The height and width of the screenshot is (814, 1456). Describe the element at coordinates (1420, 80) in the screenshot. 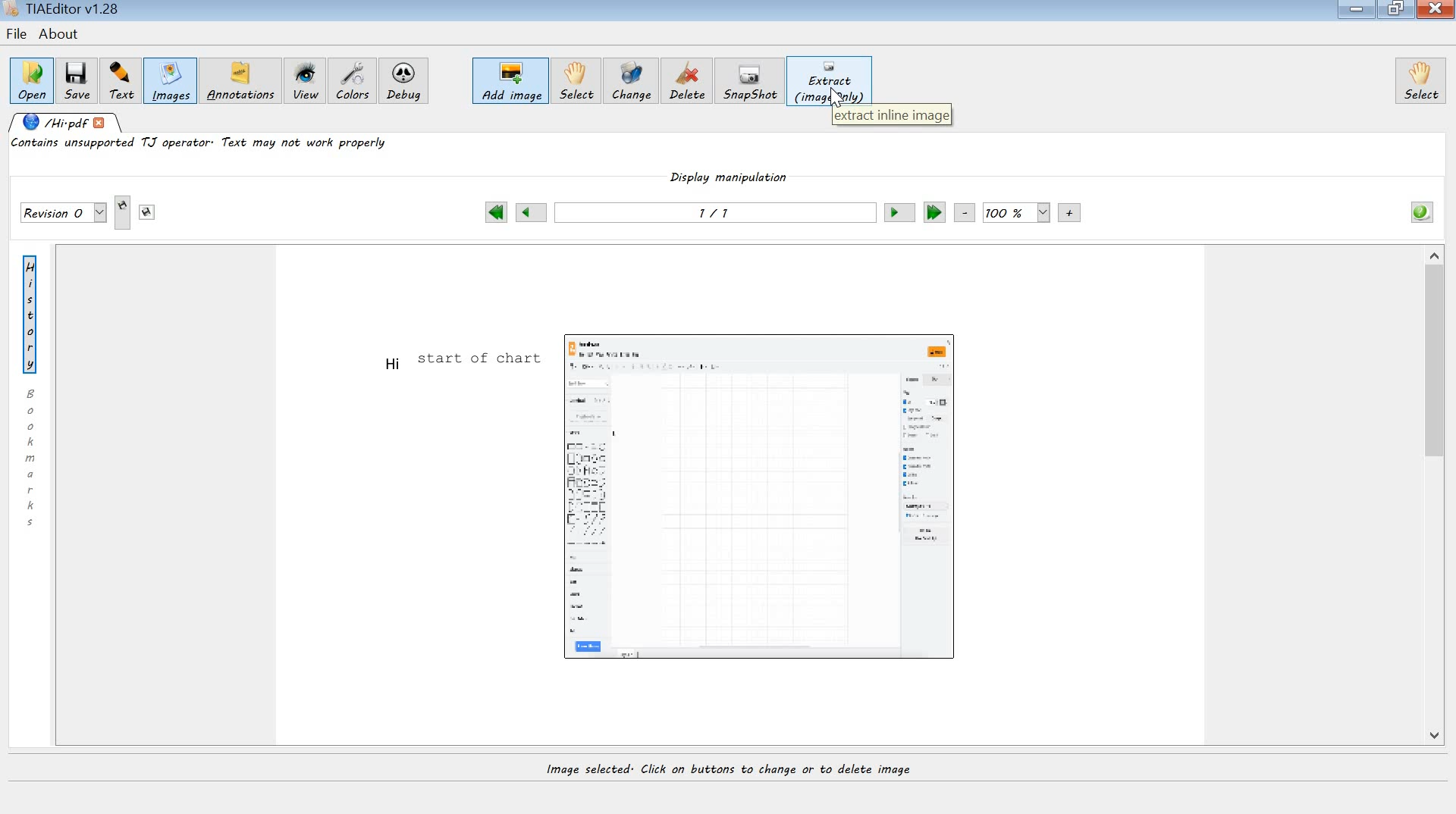

I see `select` at that location.